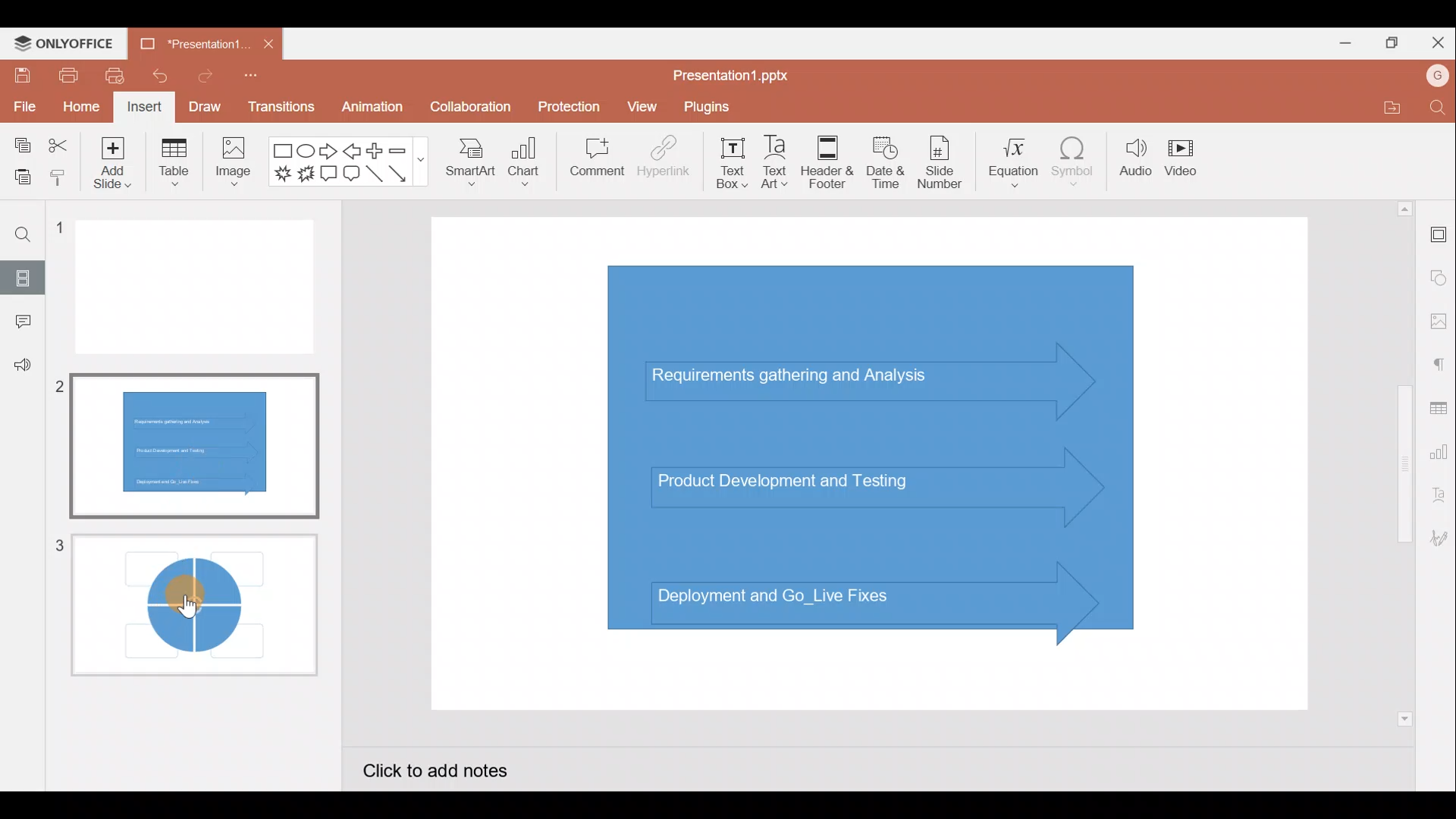 The image size is (1456, 819). I want to click on Shape settings, so click(1439, 272).